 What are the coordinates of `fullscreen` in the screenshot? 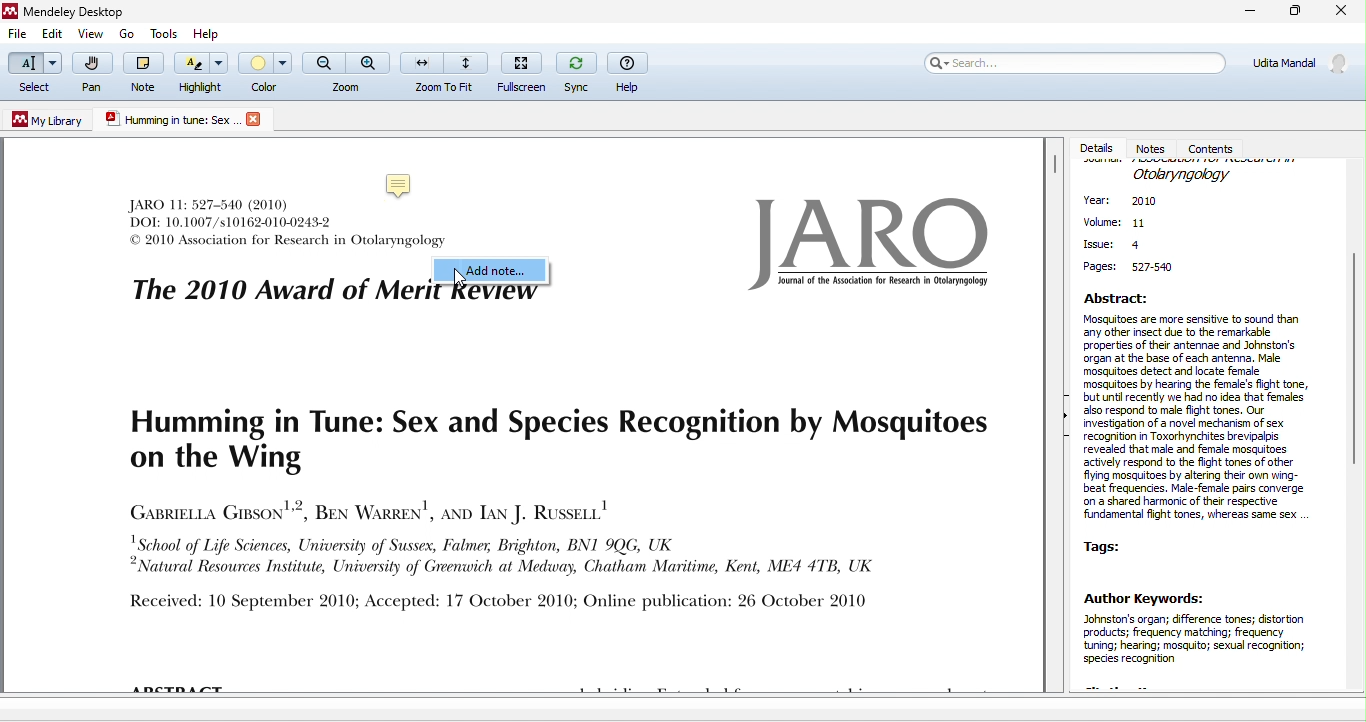 It's located at (520, 72).